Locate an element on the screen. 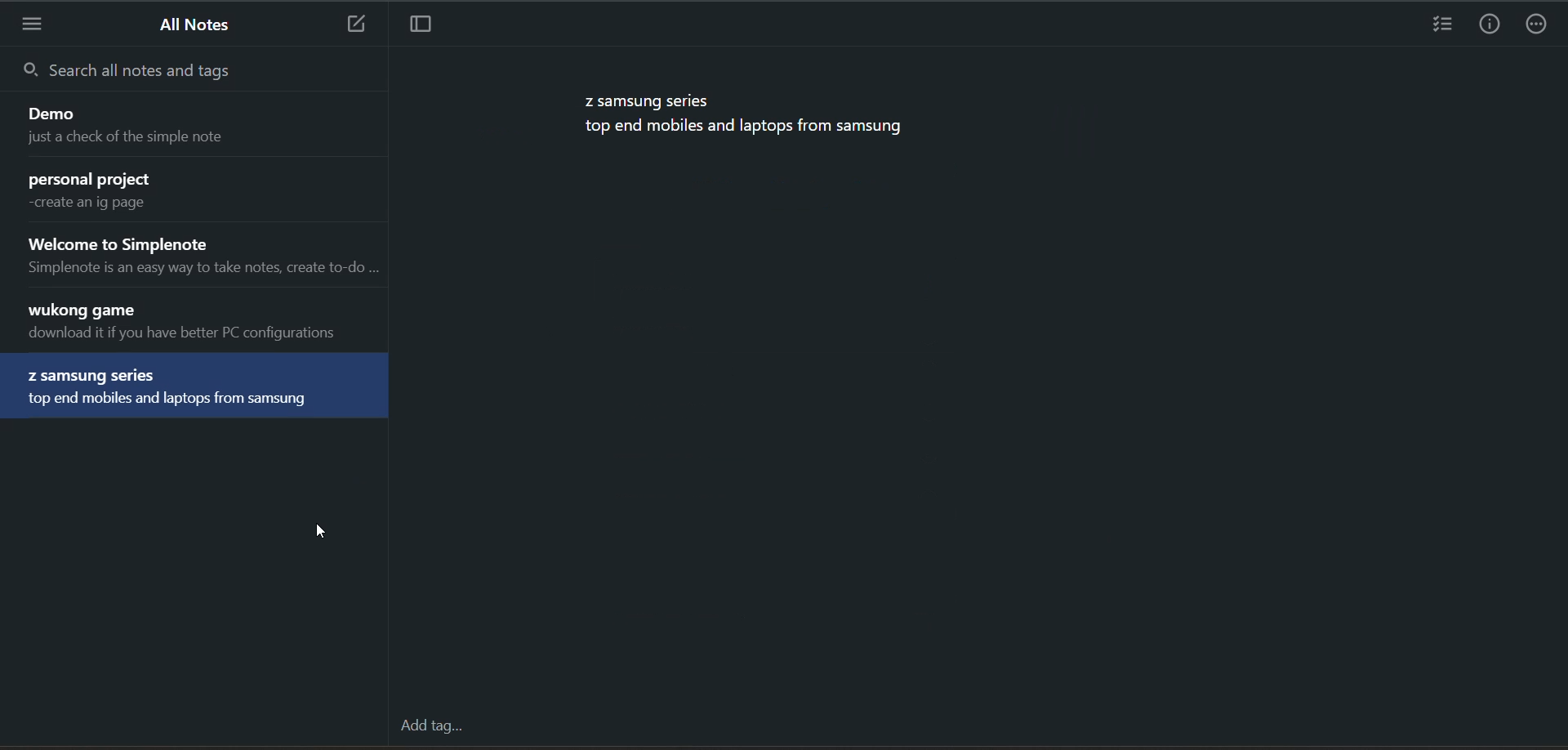 This screenshot has width=1568, height=750. Z samsung series
top end mobiles and laptops from samsung is located at coordinates (744, 117).